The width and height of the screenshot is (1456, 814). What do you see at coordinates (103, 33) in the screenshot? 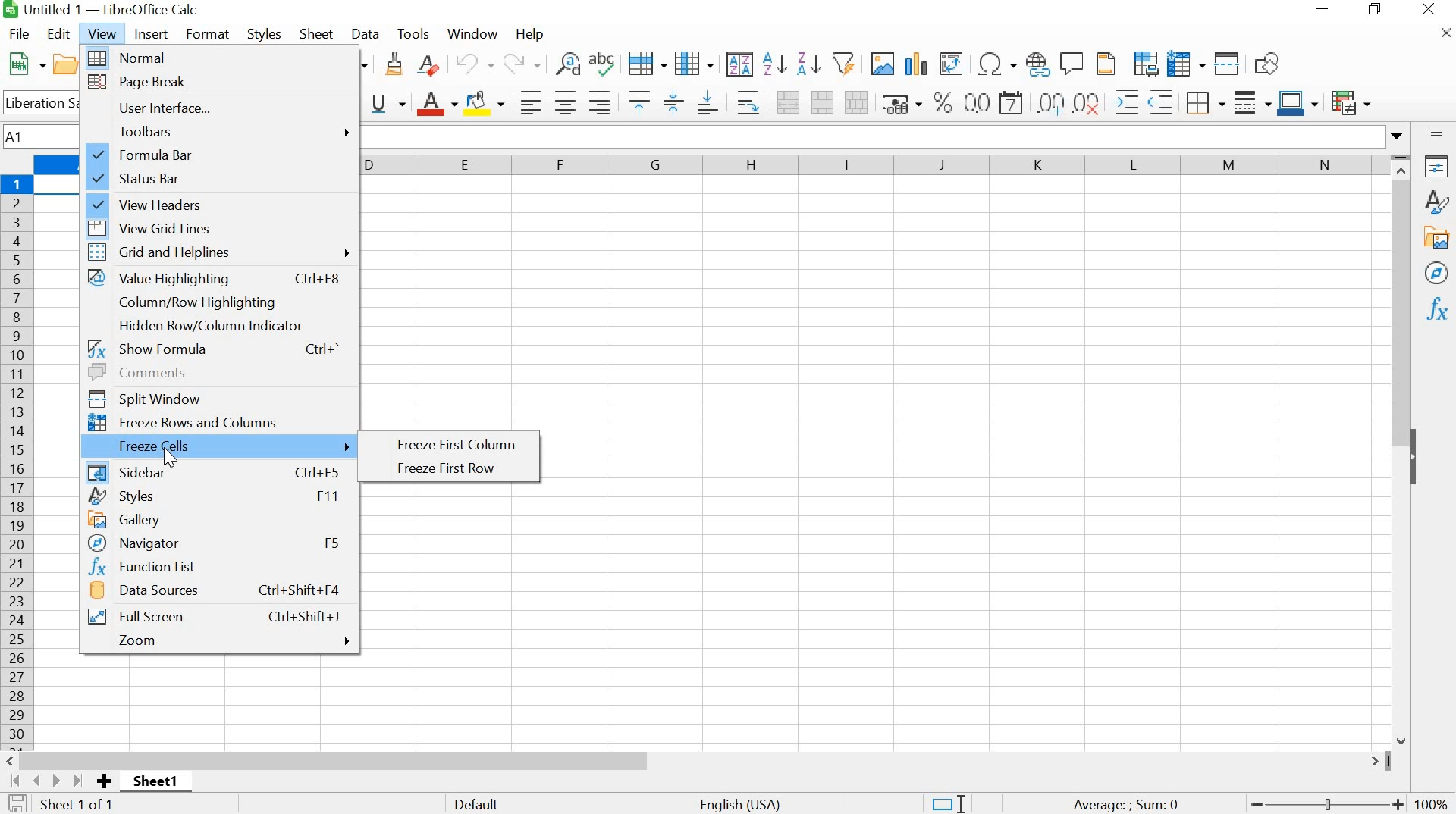
I see `VIEW` at bounding box center [103, 33].